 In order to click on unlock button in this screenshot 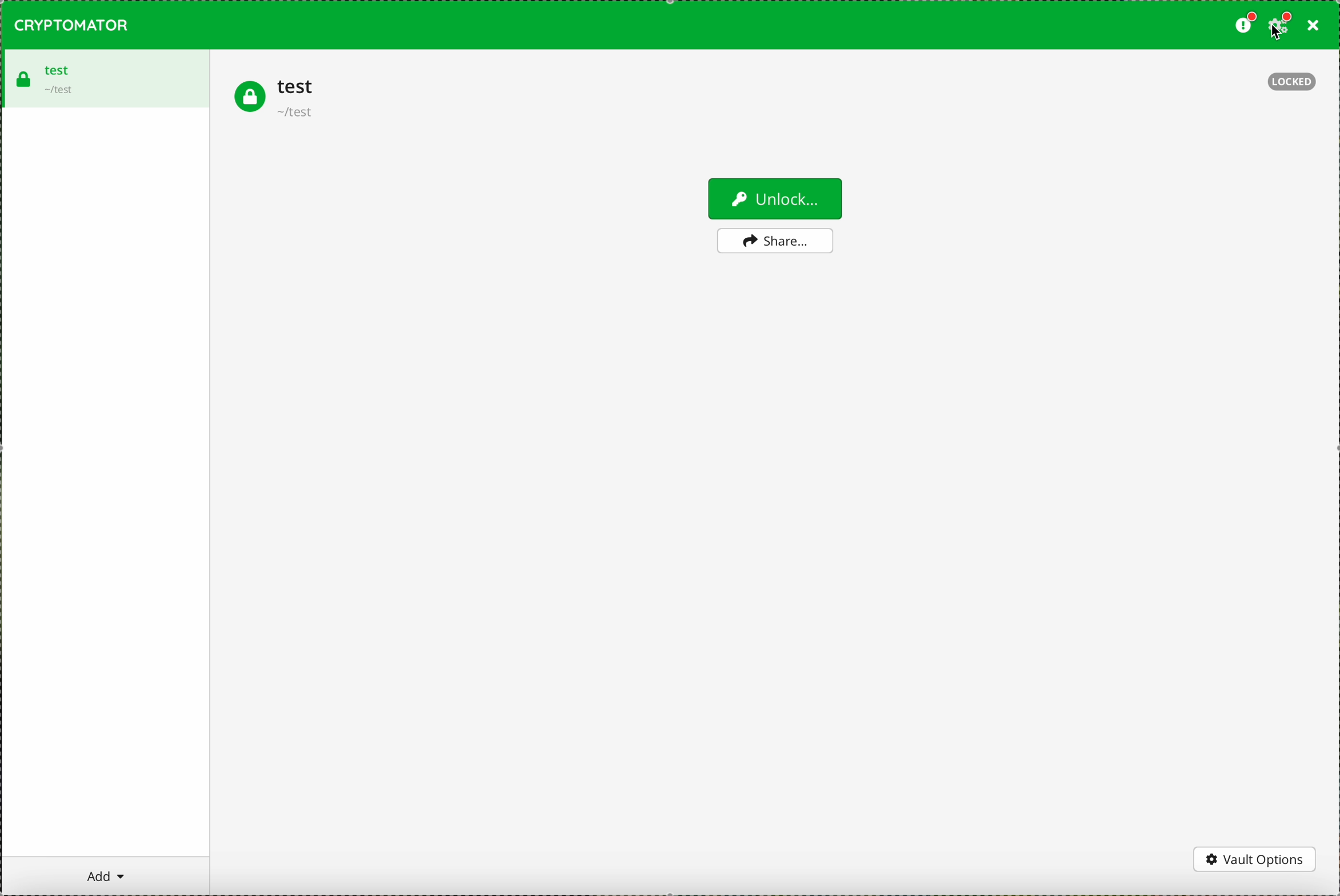, I will do `click(774, 198)`.